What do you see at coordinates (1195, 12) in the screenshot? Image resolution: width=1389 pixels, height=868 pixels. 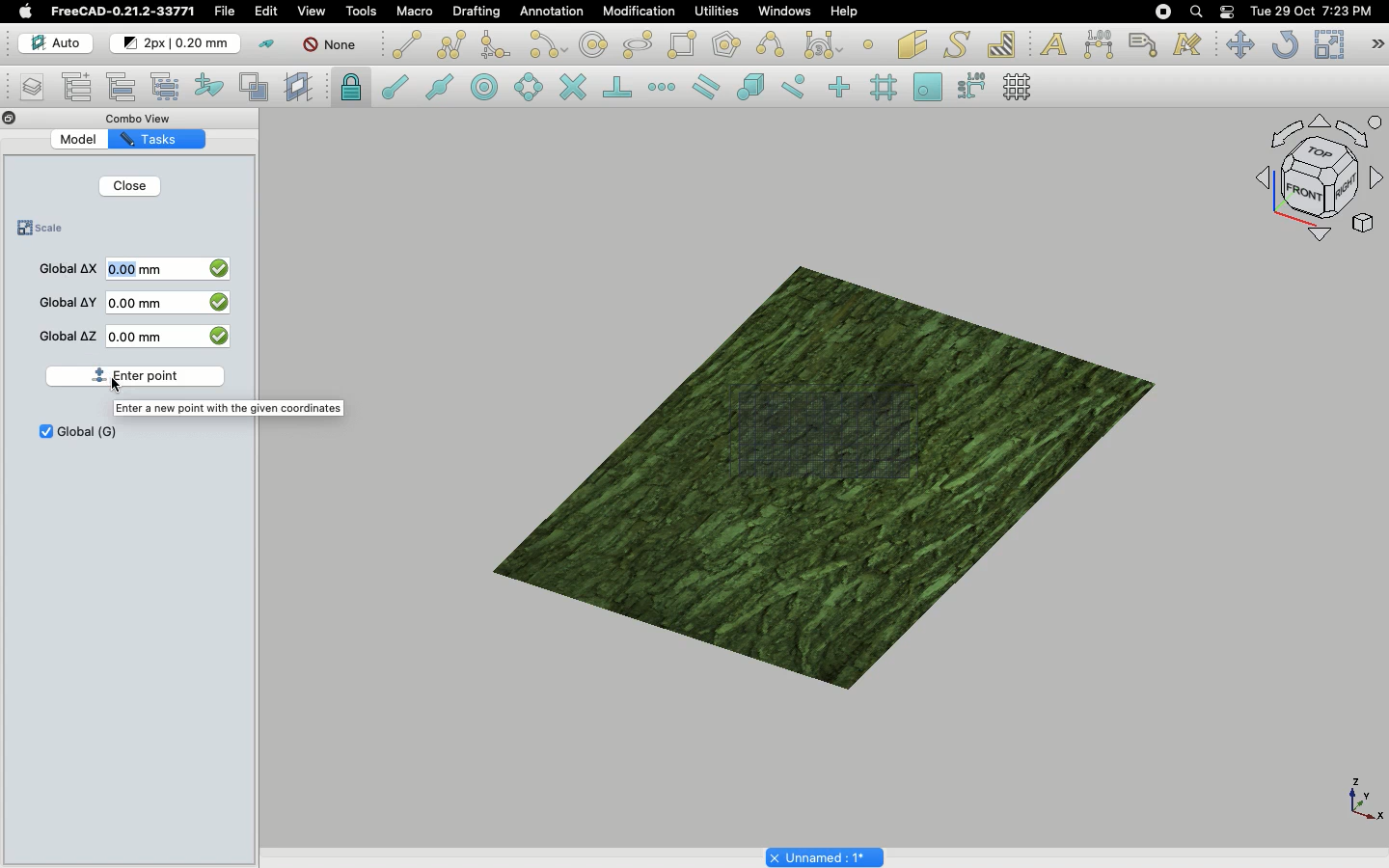 I see `Search` at bounding box center [1195, 12].